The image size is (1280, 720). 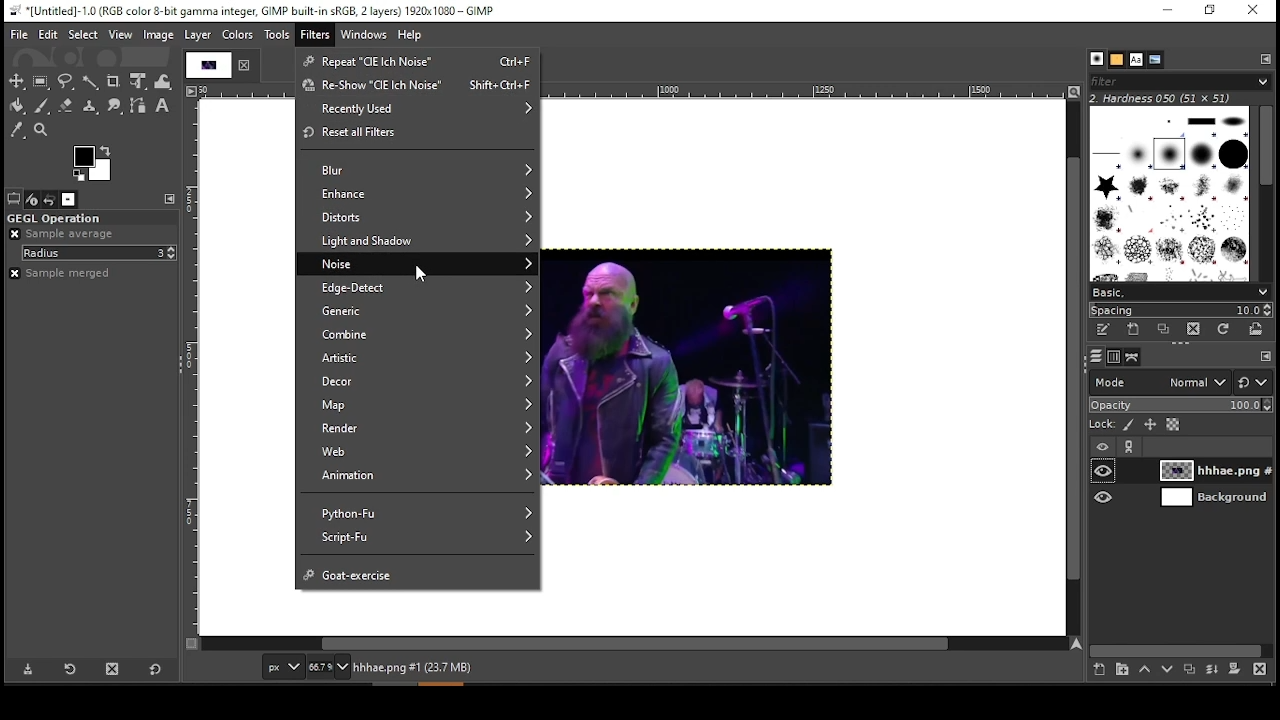 What do you see at coordinates (416, 88) in the screenshot?
I see `reshow` at bounding box center [416, 88].